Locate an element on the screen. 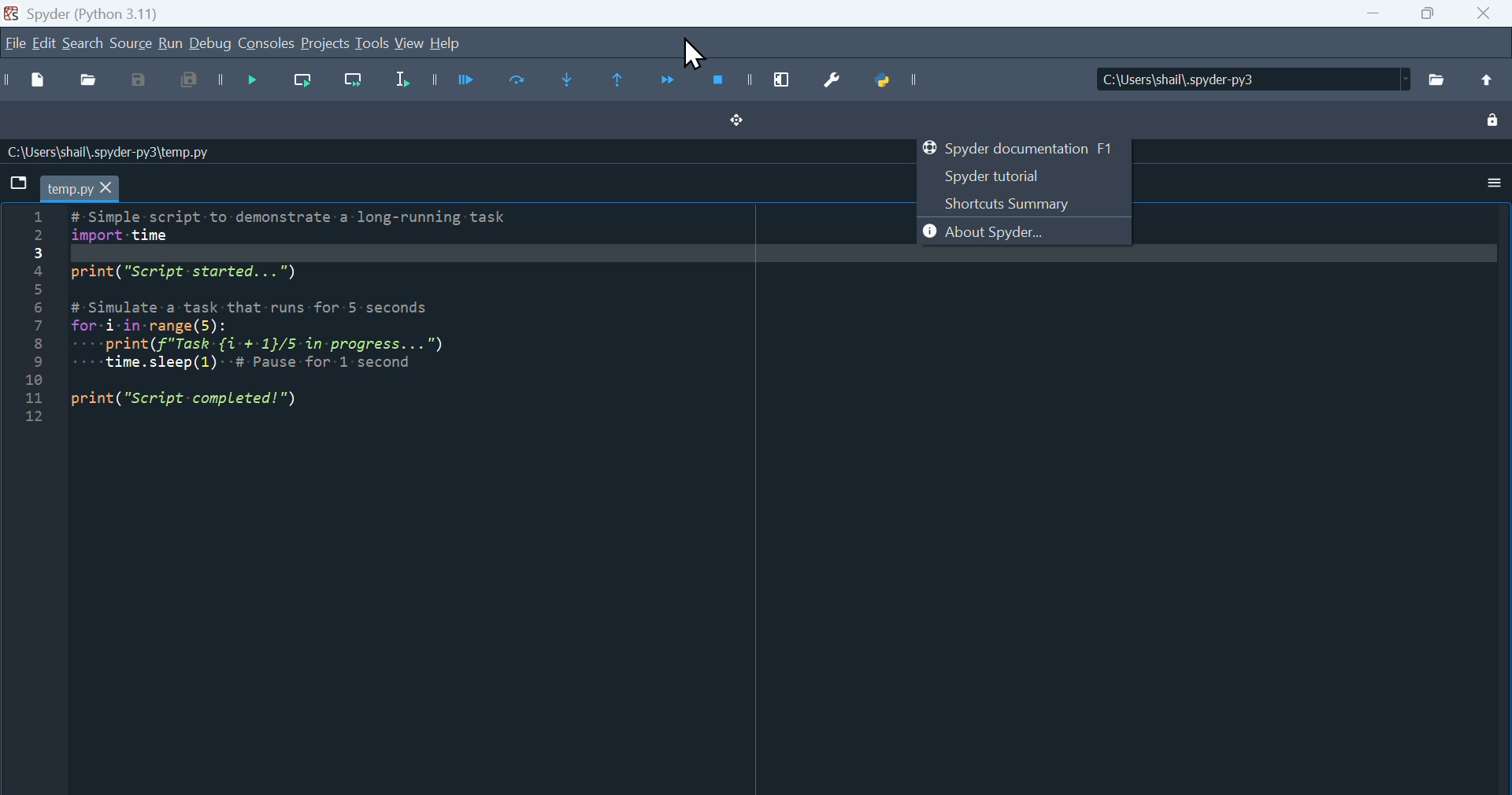 This screenshot has height=795, width=1512. Debug is located at coordinates (212, 46).